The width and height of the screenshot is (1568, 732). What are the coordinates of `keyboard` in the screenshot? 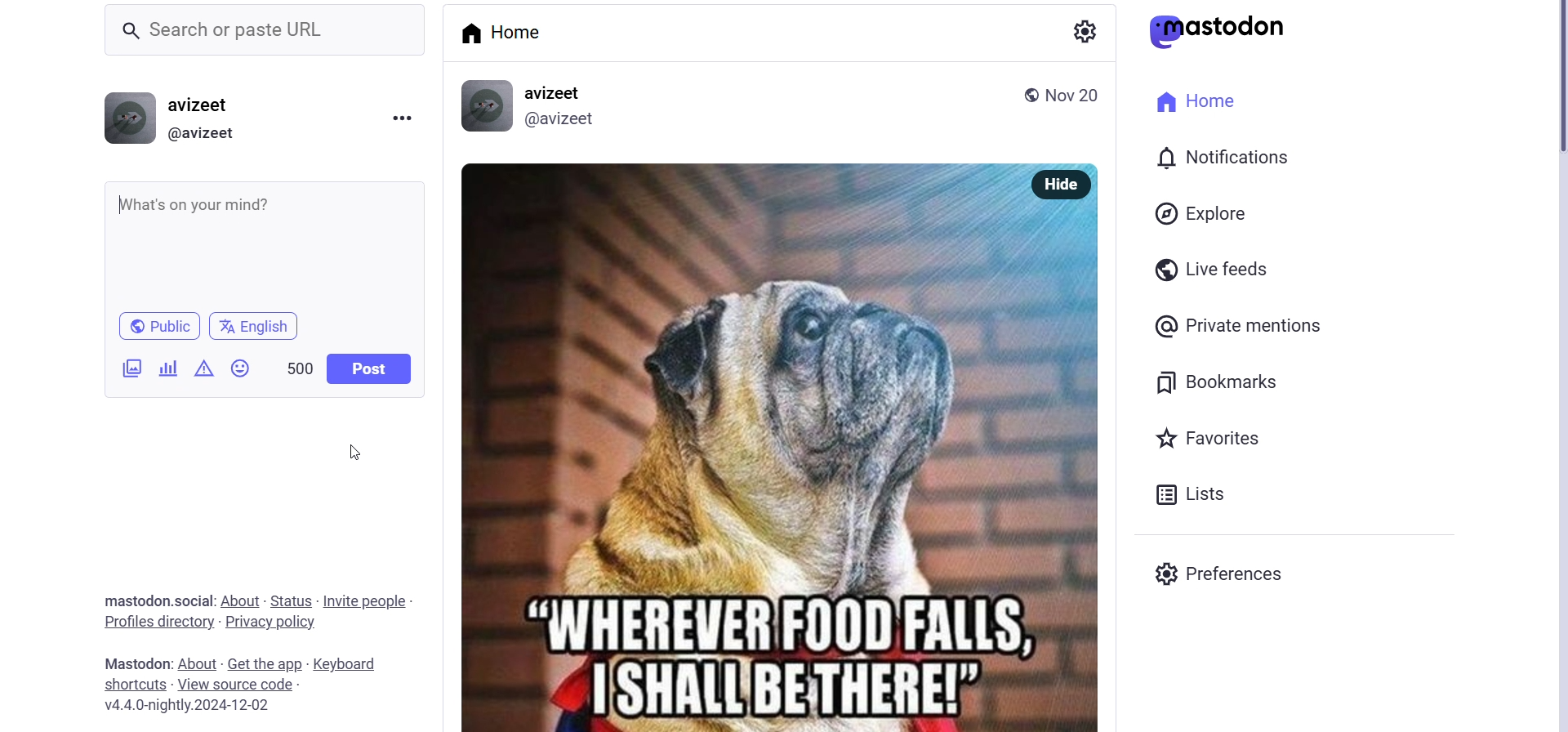 It's located at (344, 665).